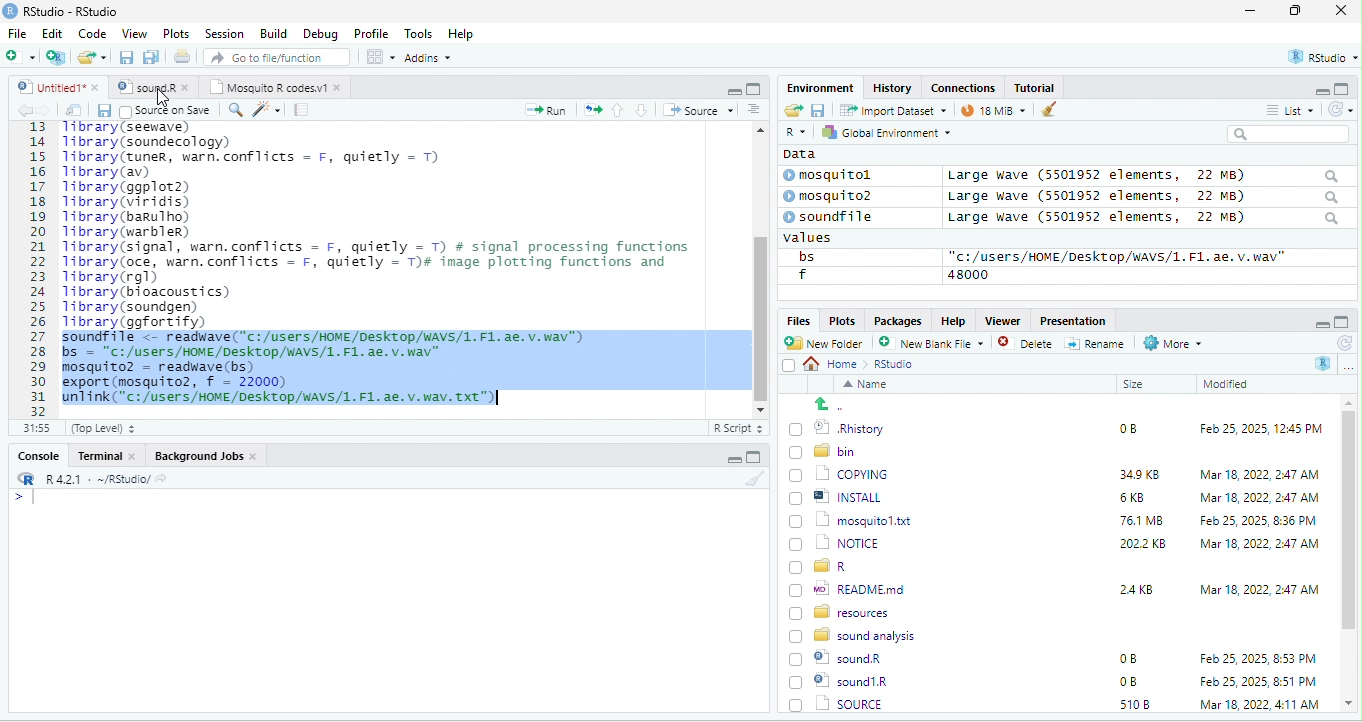 The width and height of the screenshot is (1362, 722). I want to click on 1302 KB, so click(1145, 704).